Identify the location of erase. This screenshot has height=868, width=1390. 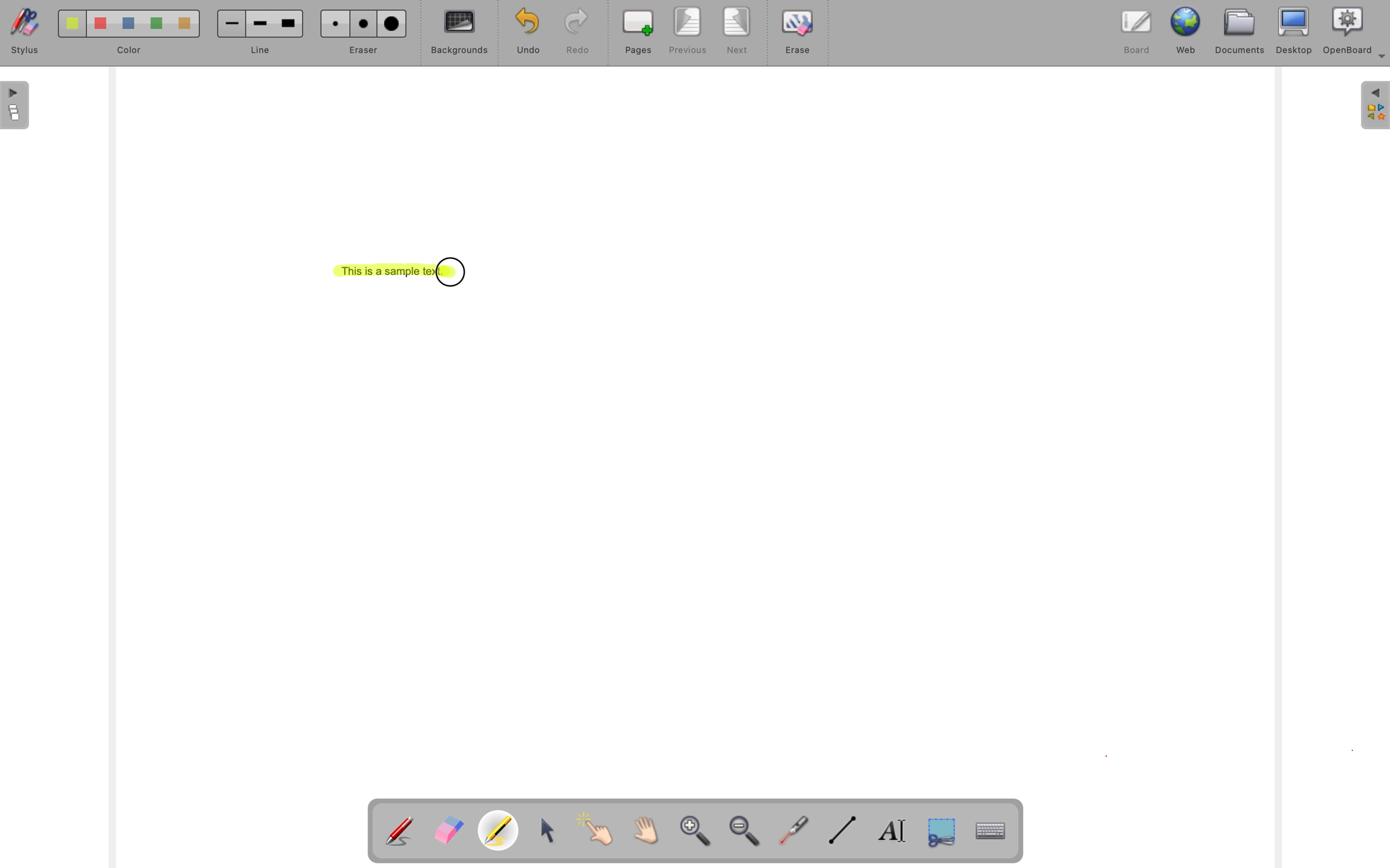
(798, 33).